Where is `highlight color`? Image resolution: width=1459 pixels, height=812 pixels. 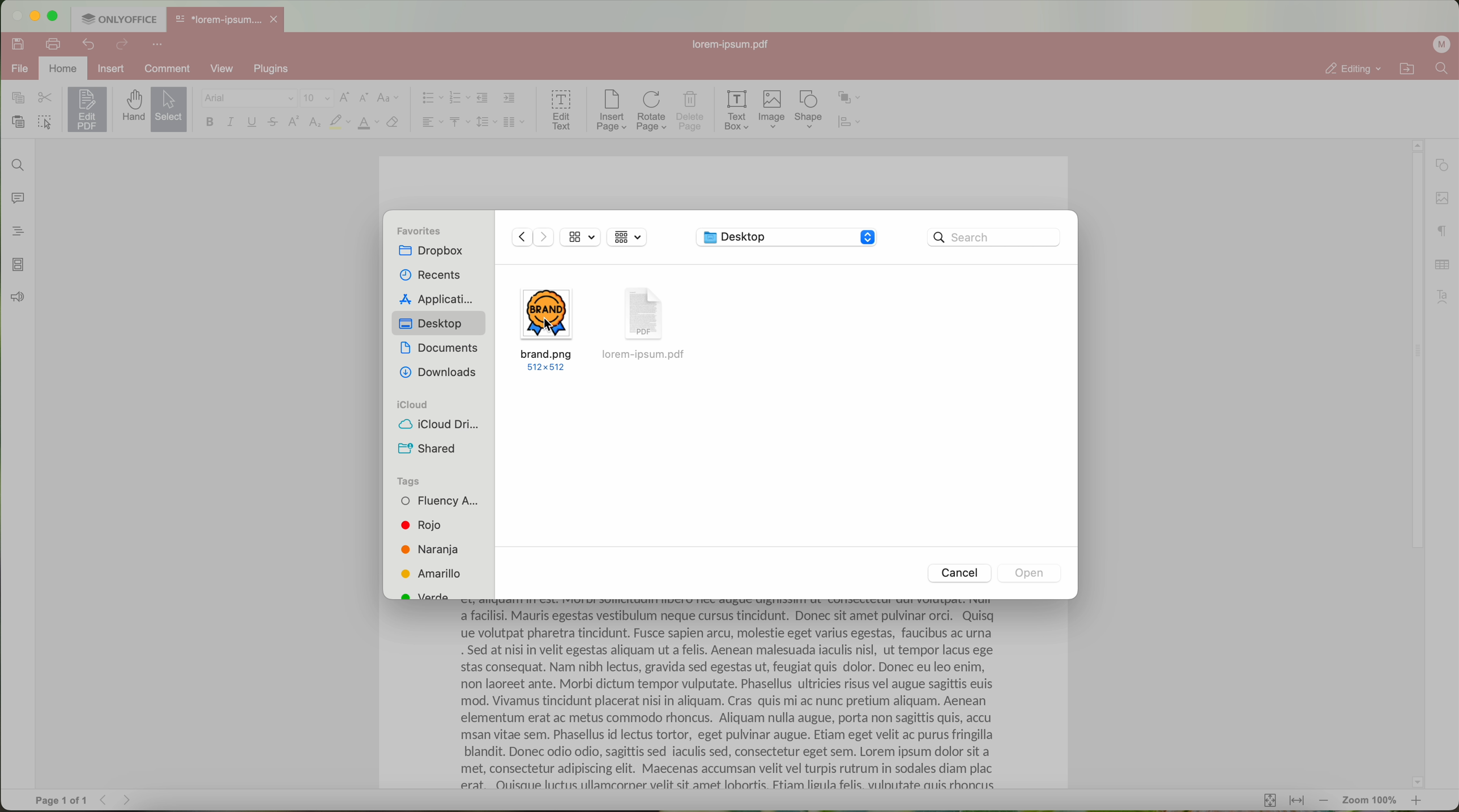 highlight color is located at coordinates (339, 123).